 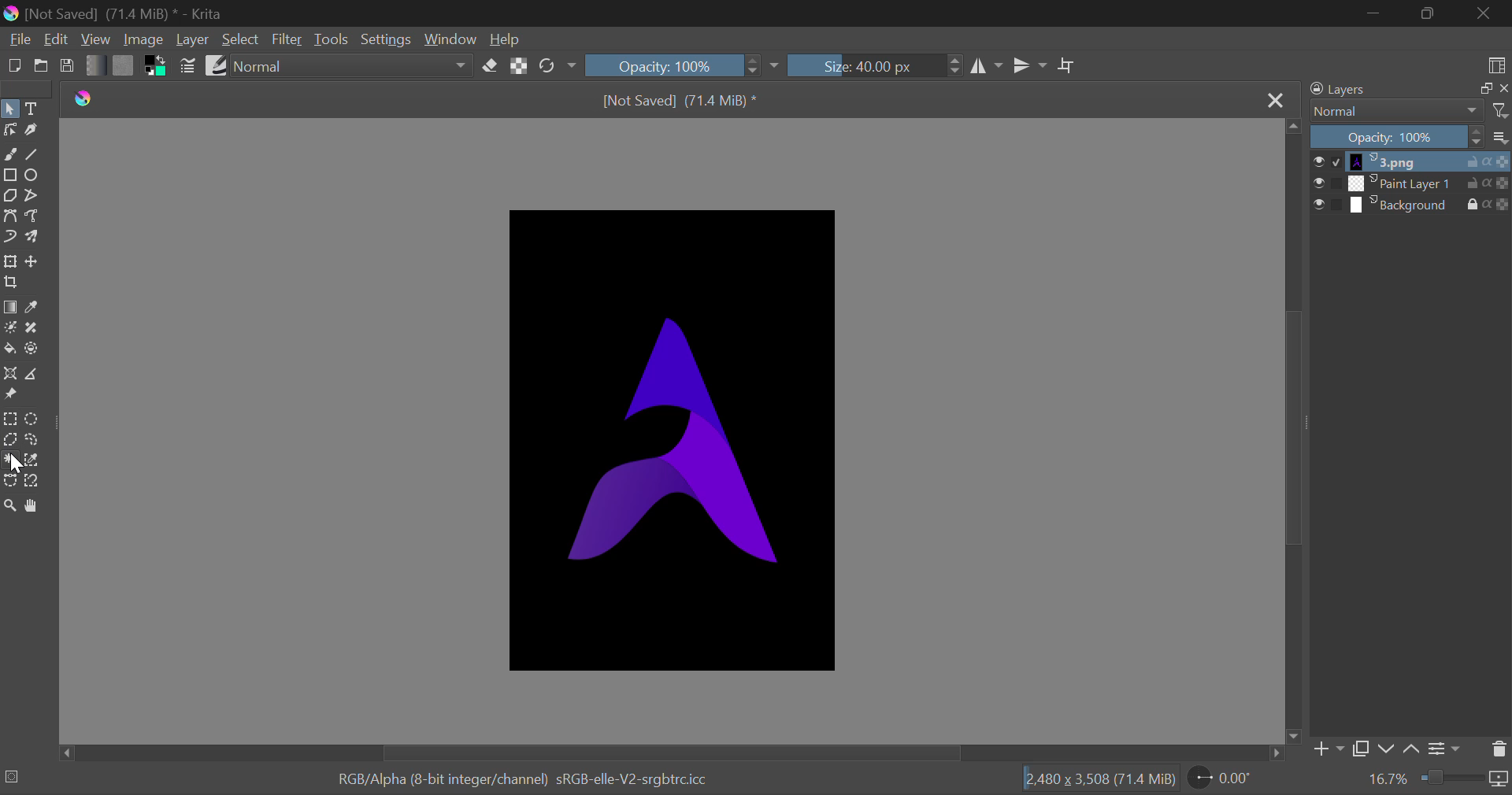 I want to click on Delete Layer, so click(x=1495, y=749).